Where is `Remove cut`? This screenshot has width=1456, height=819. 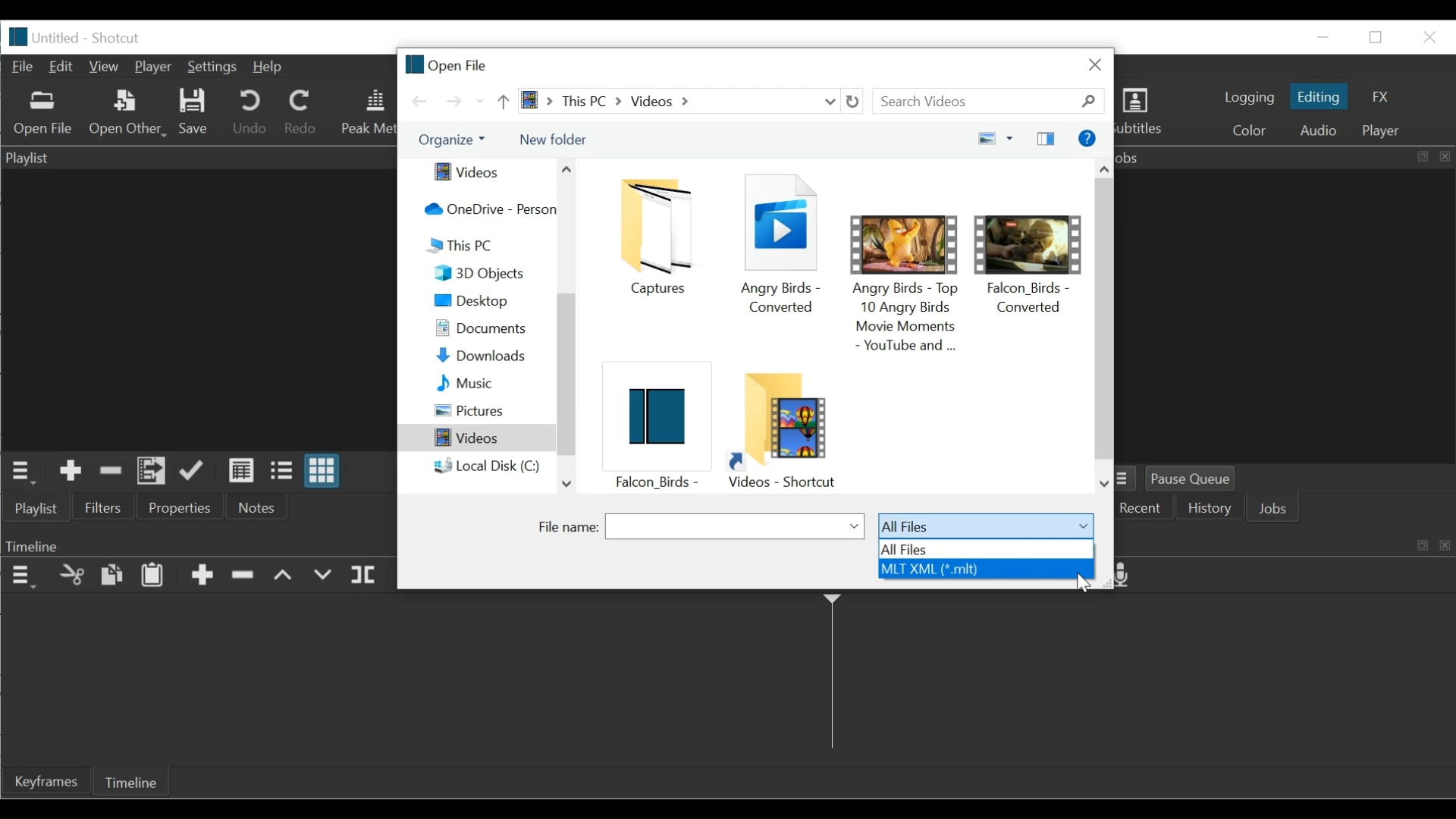 Remove cut is located at coordinates (108, 472).